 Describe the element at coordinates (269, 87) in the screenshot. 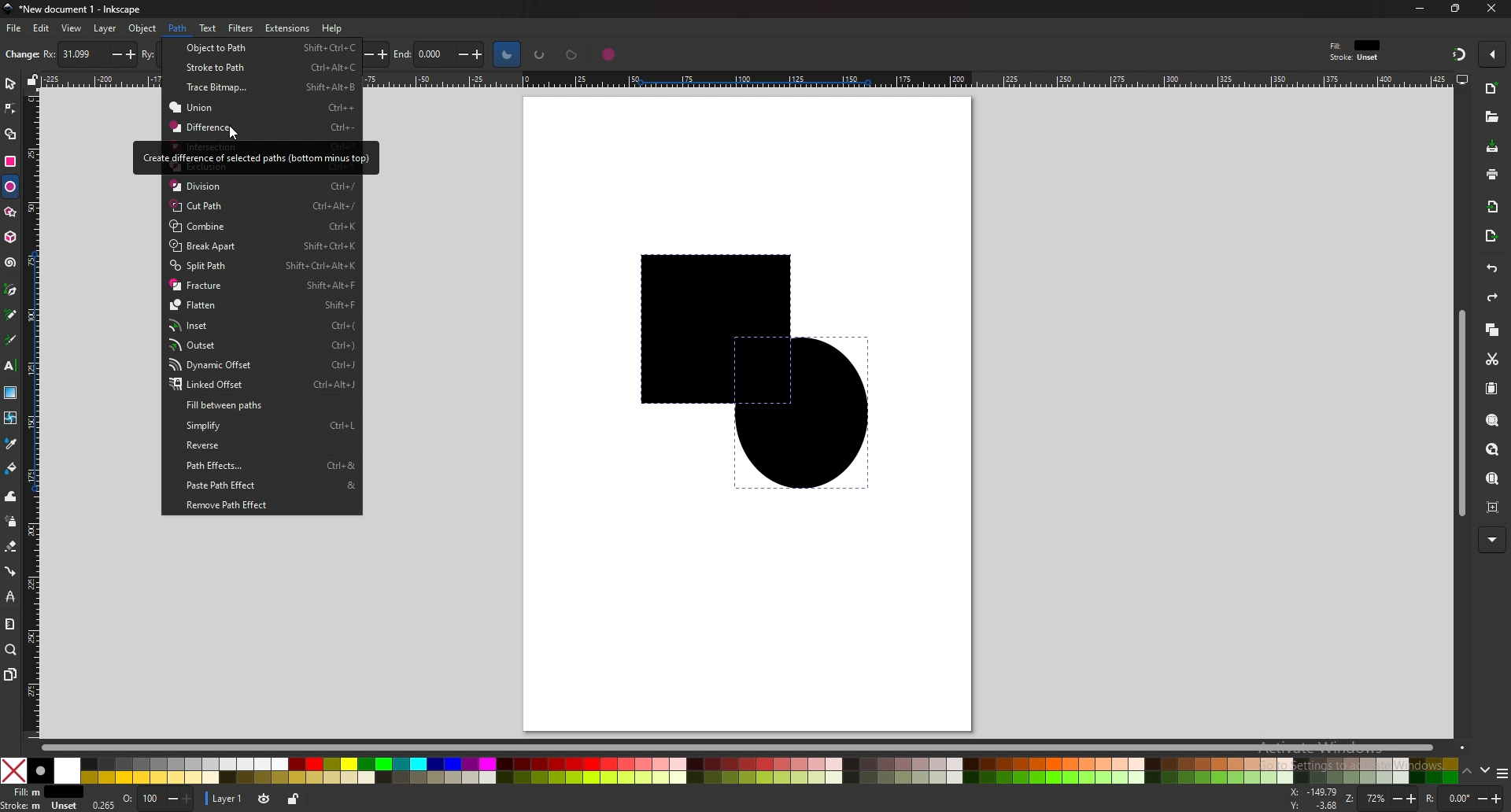

I see `Trace Bitmap.` at that location.